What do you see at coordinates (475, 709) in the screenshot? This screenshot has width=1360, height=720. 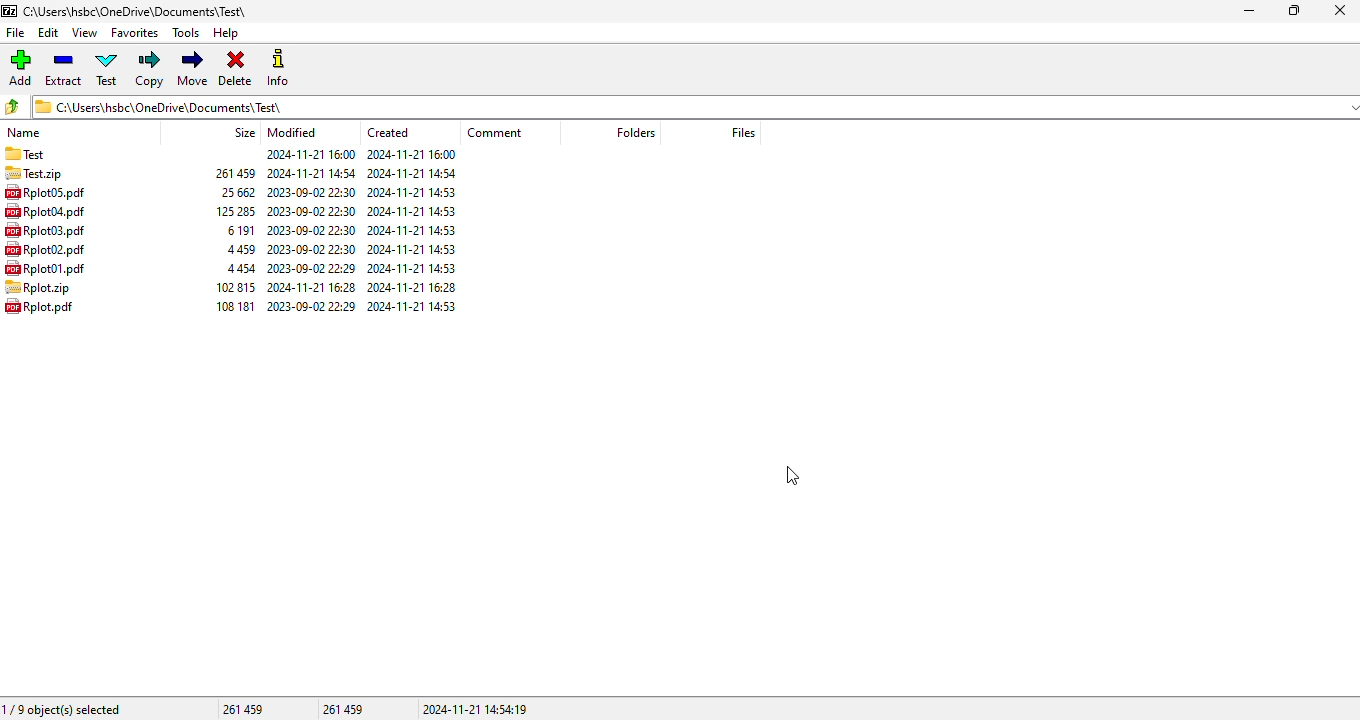 I see `2024-11-21 14:54:19` at bounding box center [475, 709].